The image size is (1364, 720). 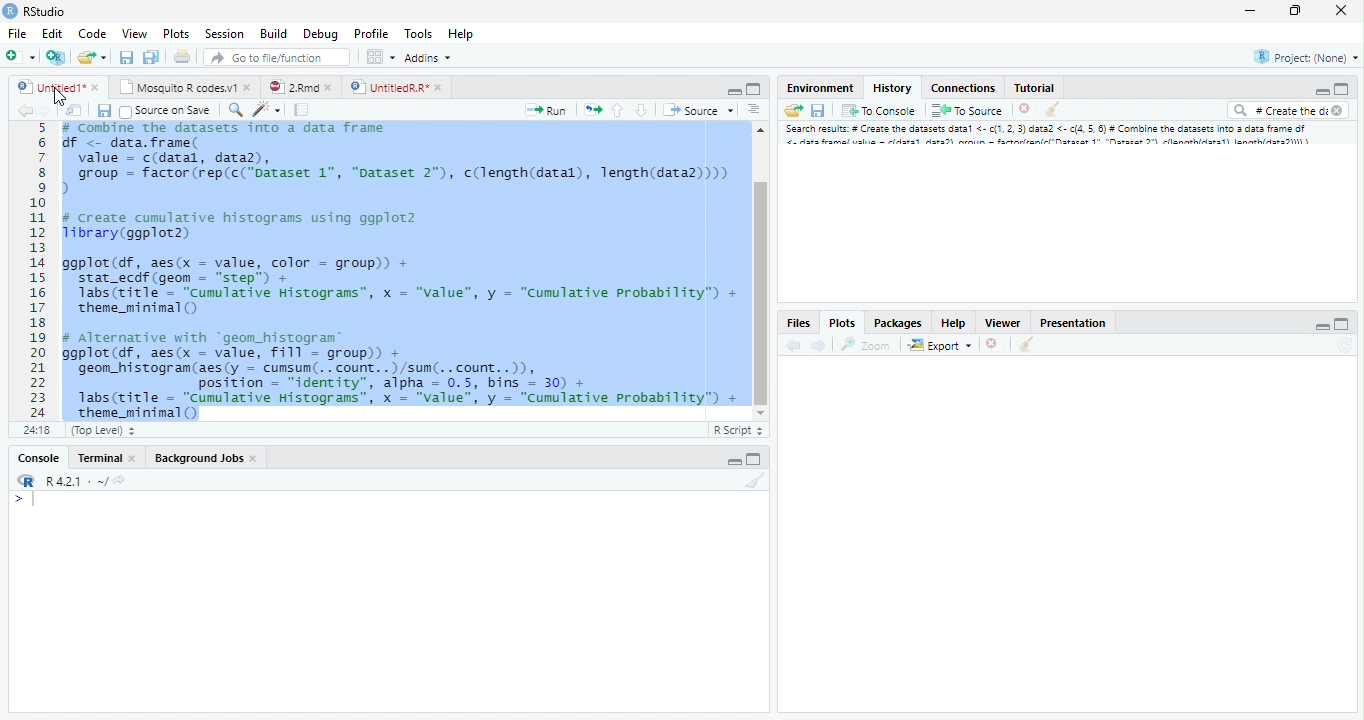 I want to click on Export, so click(x=940, y=345).